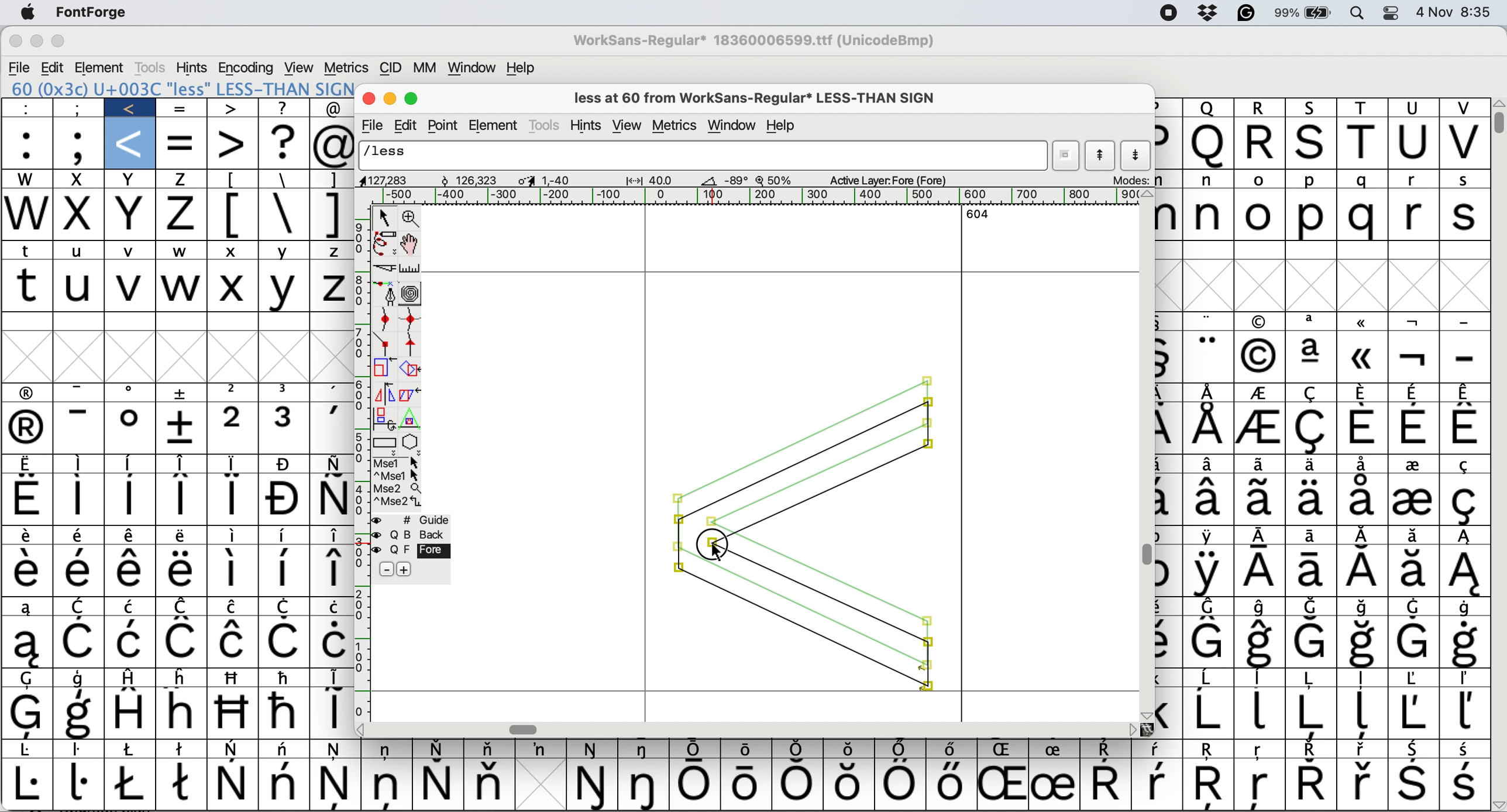 This screenshot has height=812, width=1507. What do you see at coordinates (414, 534) in the screenshot?
I see `back` at bounding box center [414, 534].